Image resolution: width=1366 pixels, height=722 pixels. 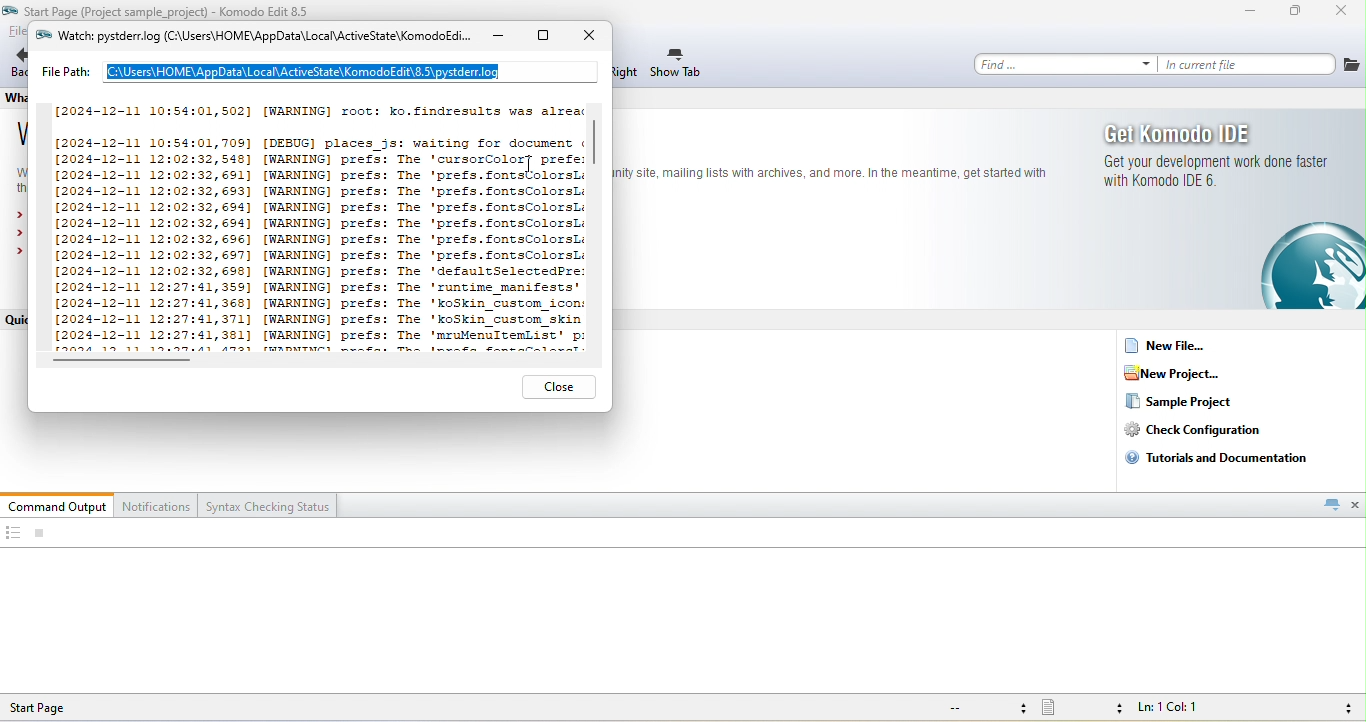 I want to click on close, so click(x=560, y=387).